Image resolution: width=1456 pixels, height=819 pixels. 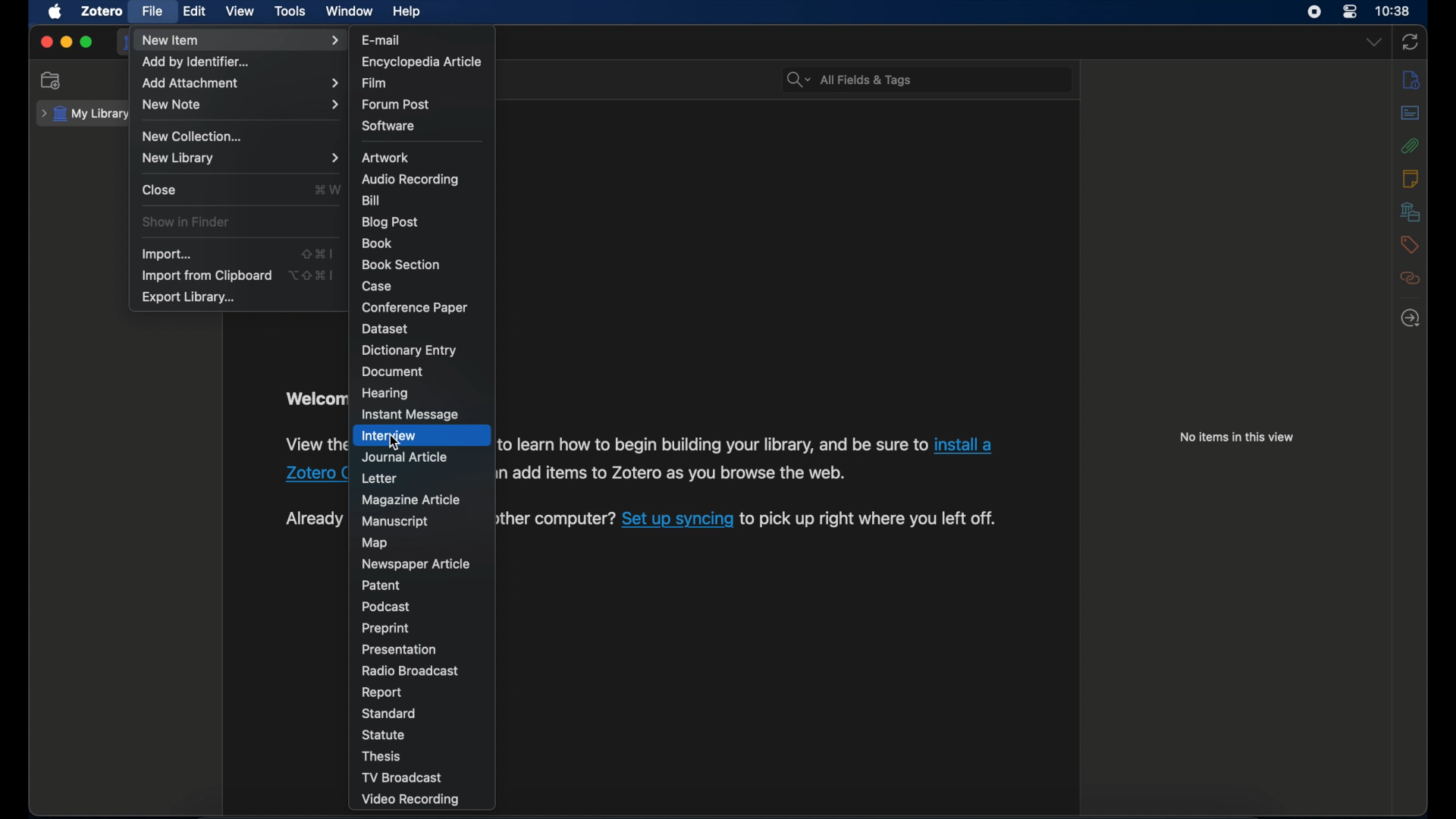 I want to click on e-mail, so click(x=385, y=40).